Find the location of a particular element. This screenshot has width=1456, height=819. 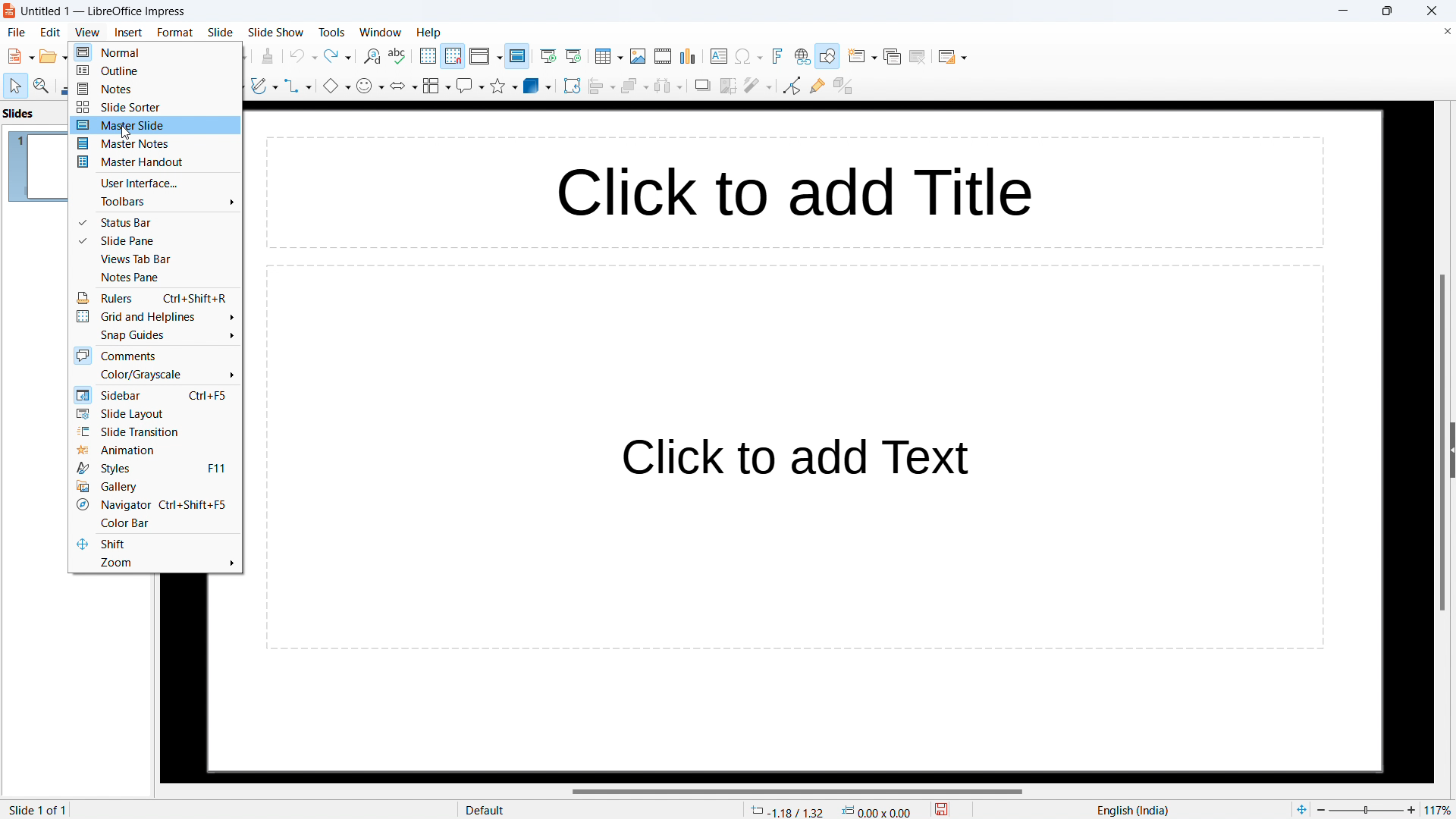

gallery is located at coordinates (155, 486).